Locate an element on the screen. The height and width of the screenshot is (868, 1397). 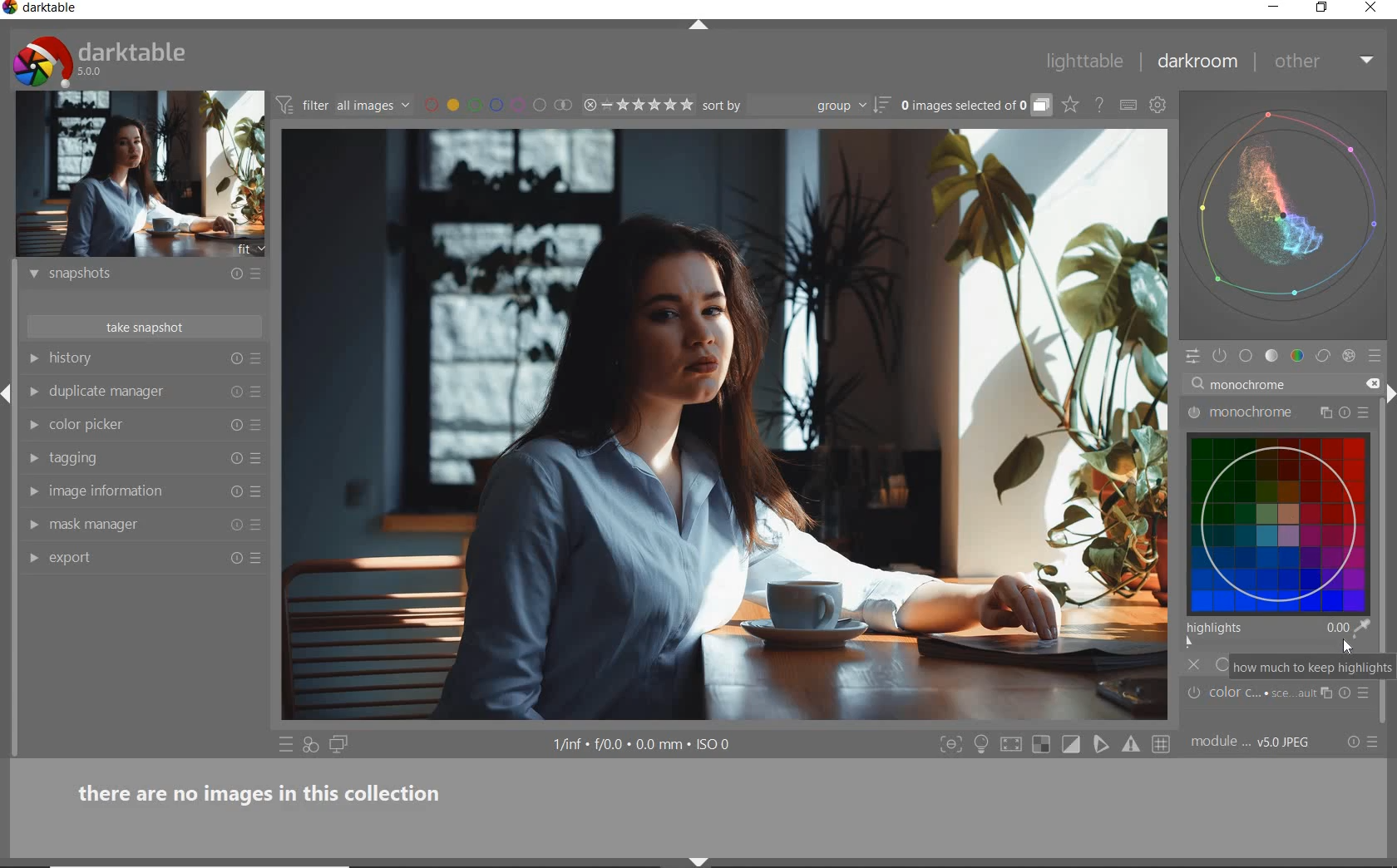
lighttable is located at coordinates (1085, 64).